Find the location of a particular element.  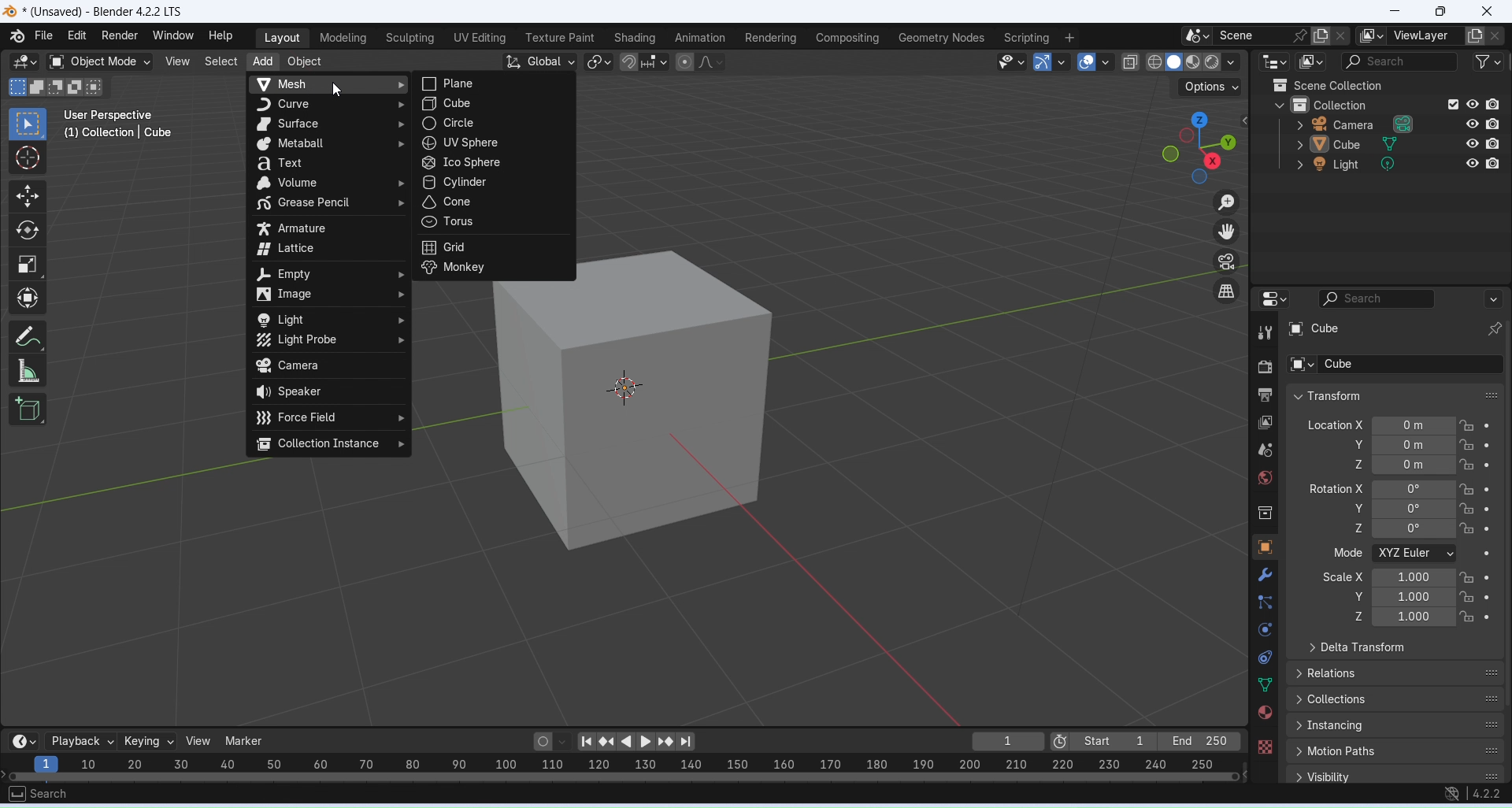

Rendering is located at coordinates (770, 38).